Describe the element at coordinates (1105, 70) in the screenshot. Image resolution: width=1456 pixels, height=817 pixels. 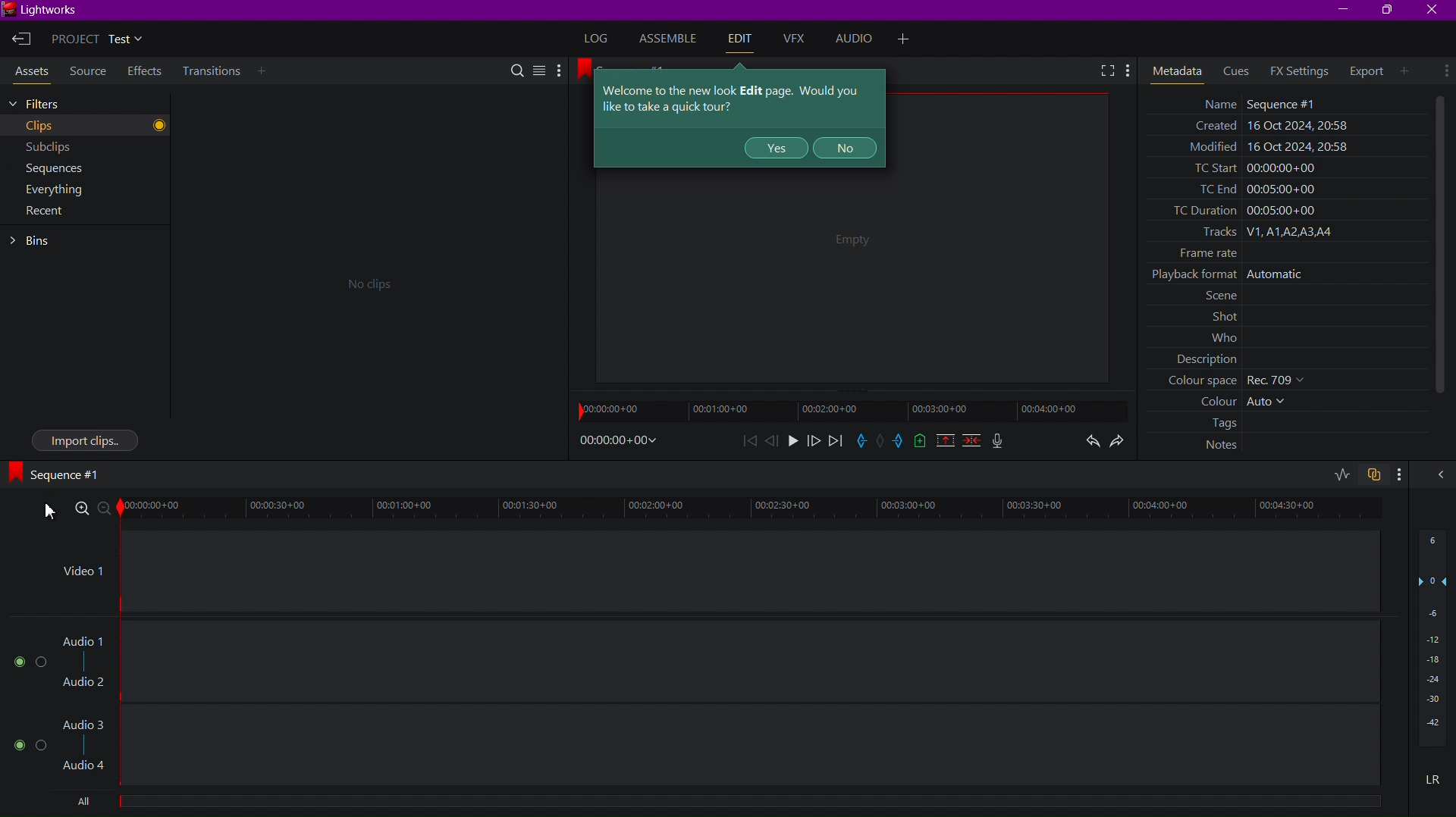
I see `Fullscreen` at that location.